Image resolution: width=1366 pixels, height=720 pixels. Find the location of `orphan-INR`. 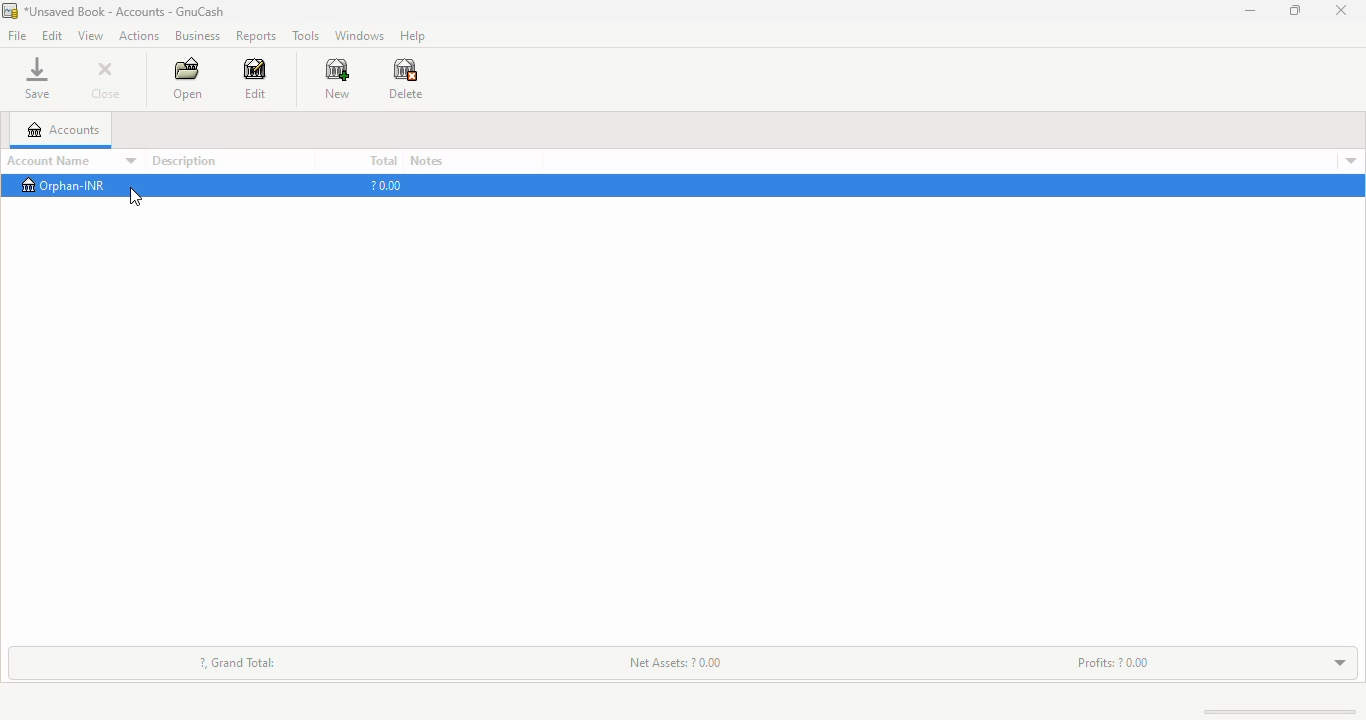

orphan-INR is located at coordinates (65, 185).